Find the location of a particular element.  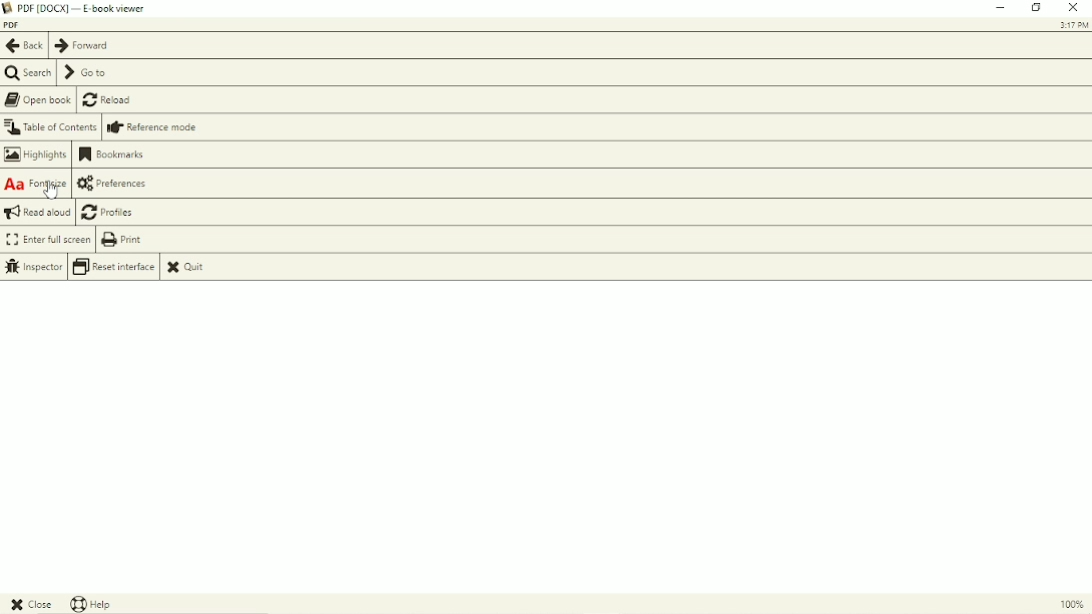

Search is located at coordinates (29, 73).